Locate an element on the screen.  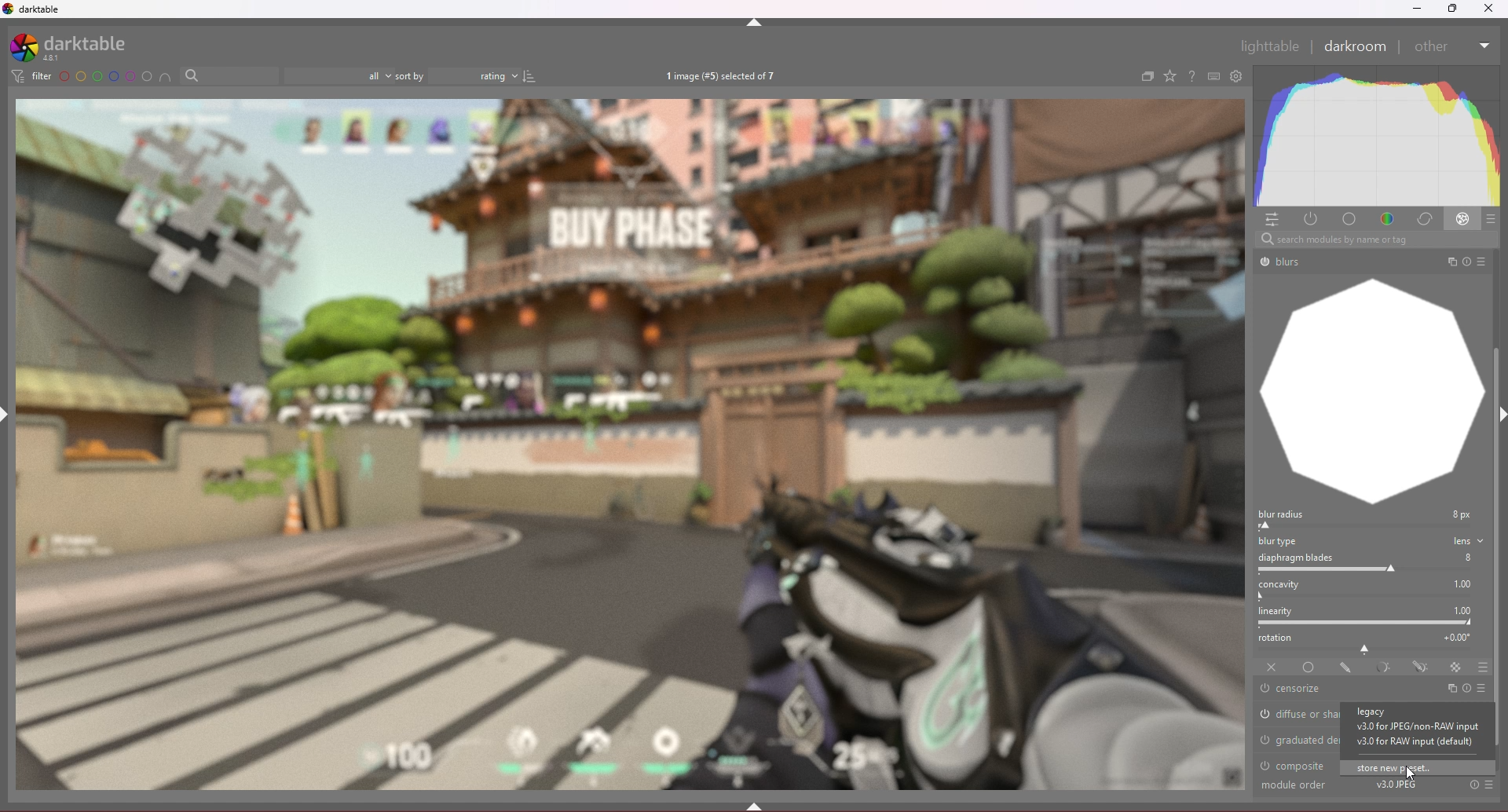
blur type is located at coordinates (1372, 541).